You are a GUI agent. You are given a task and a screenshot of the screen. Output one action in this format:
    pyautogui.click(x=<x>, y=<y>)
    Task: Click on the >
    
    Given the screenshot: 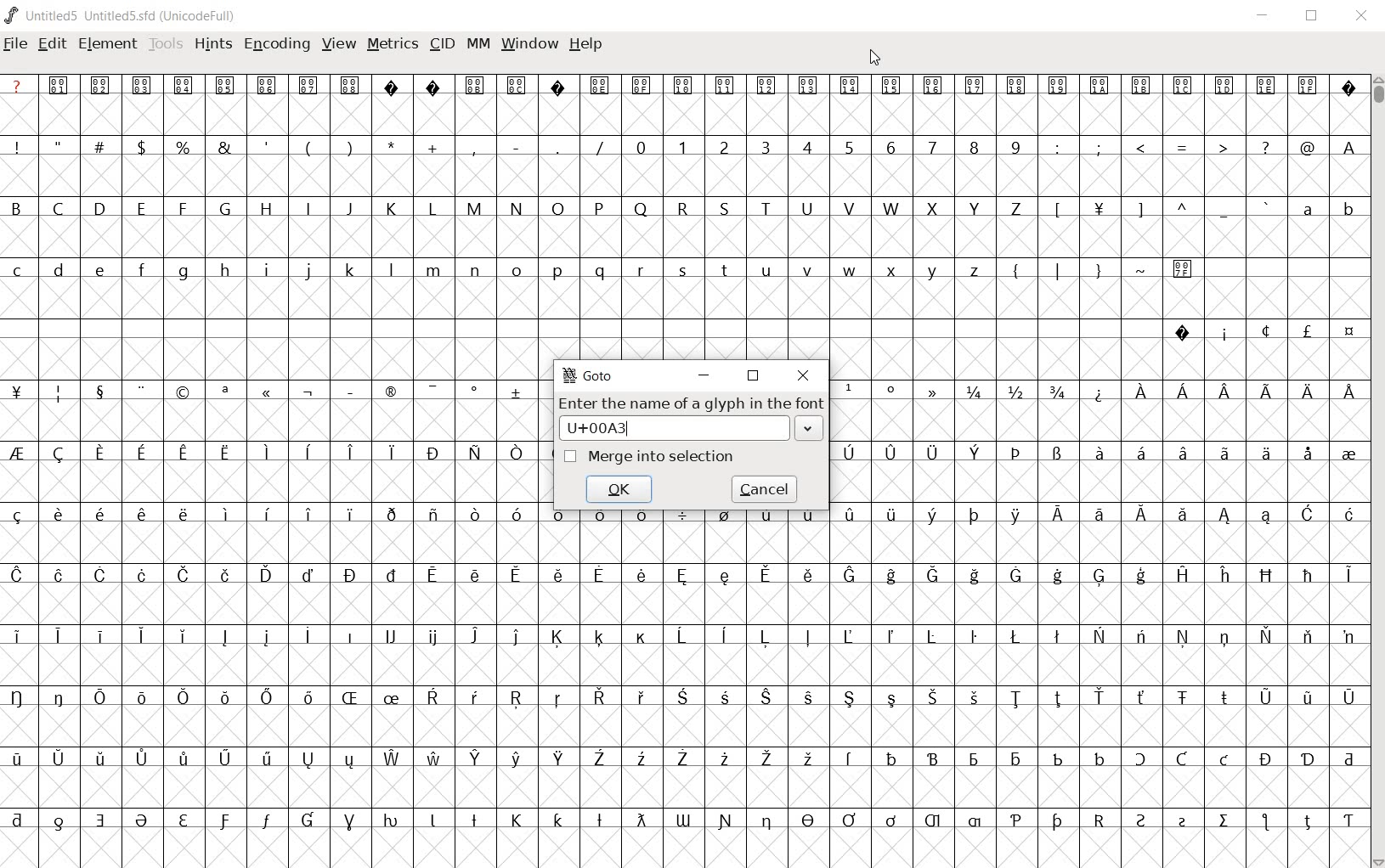 What is the action you would take?
    pyautogui.click(x=1224, y=148)
    